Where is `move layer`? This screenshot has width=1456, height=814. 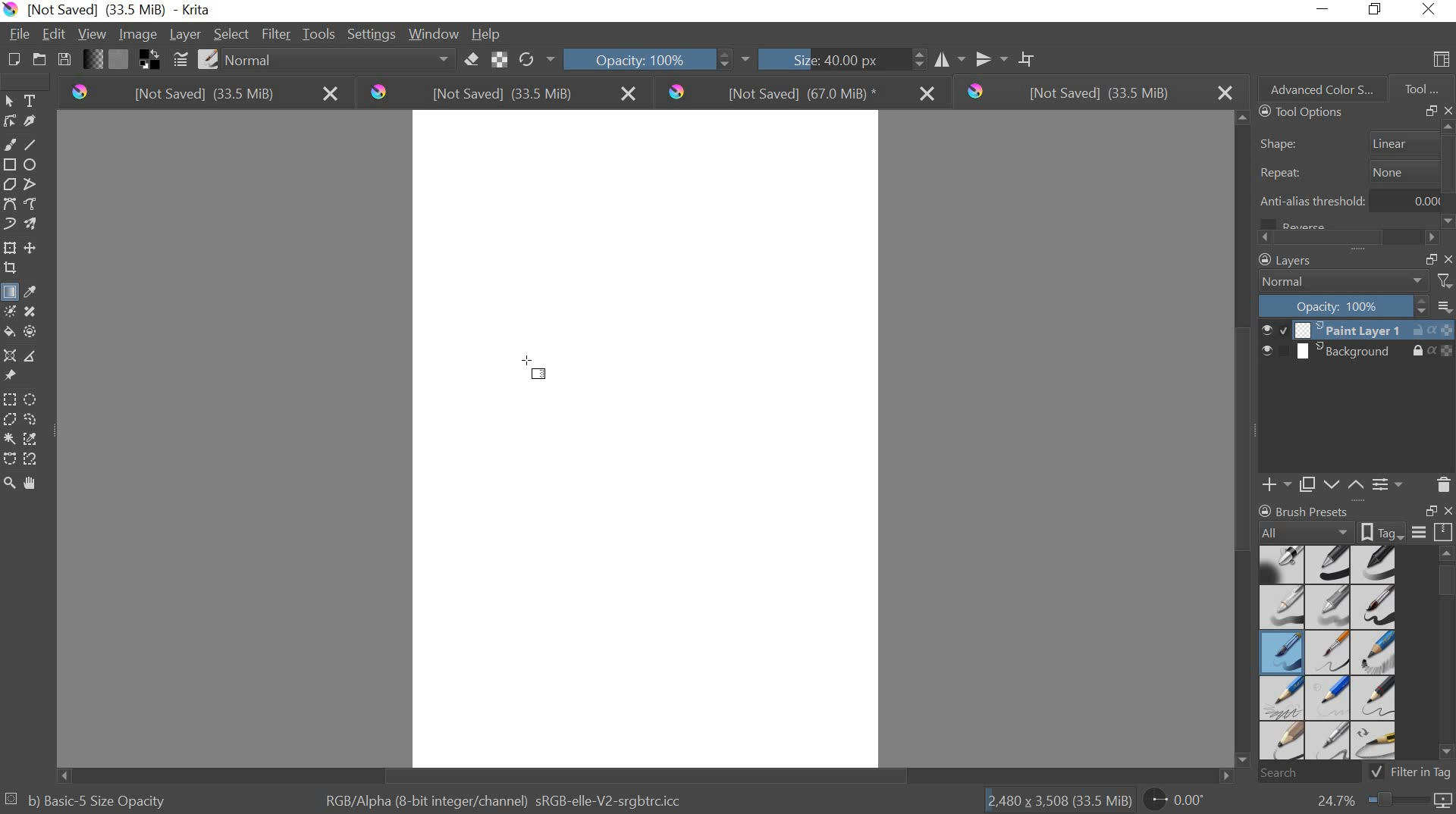 move layer is located at coordinates (33, 249).